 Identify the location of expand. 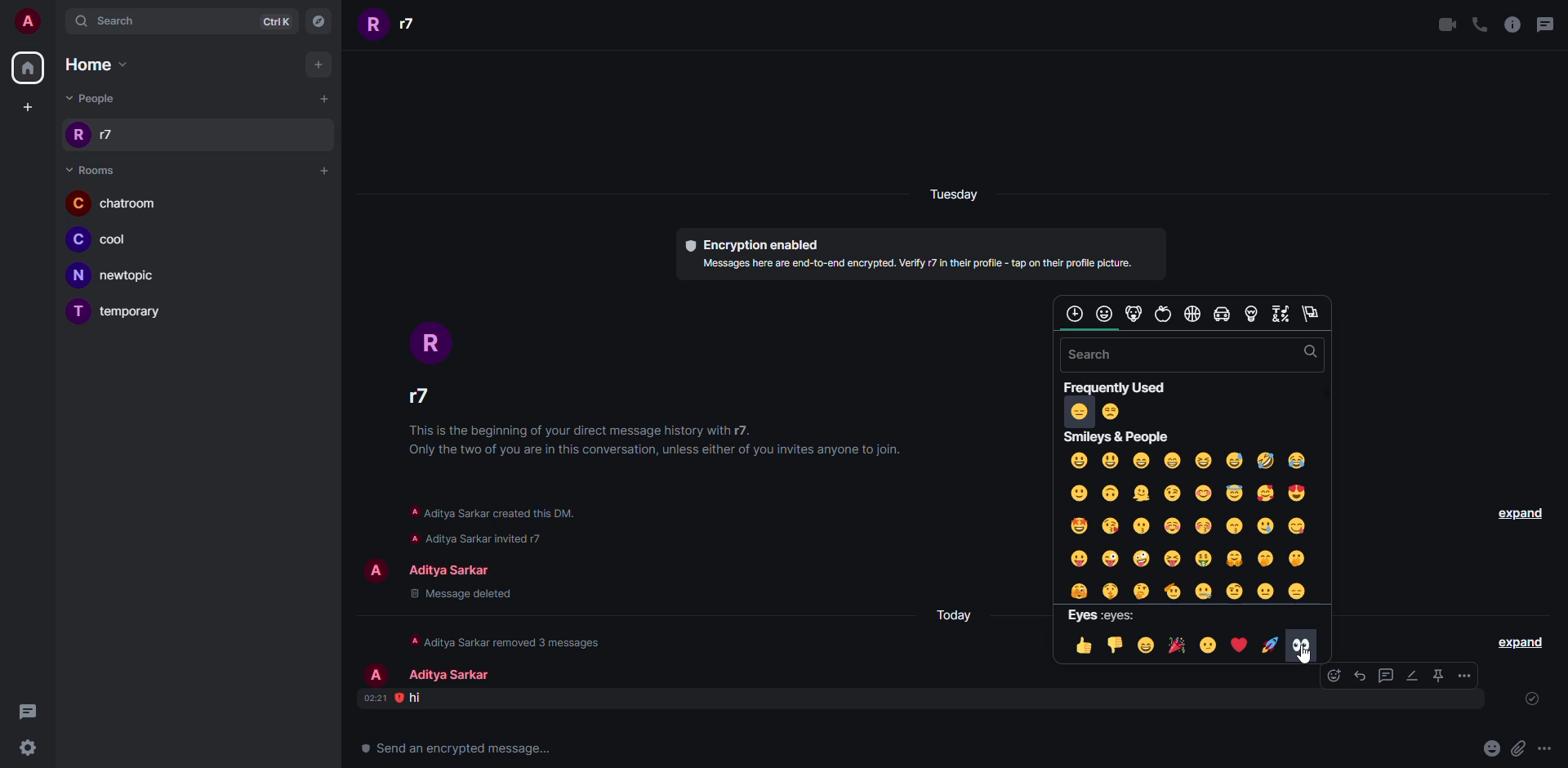
(1521, 640).